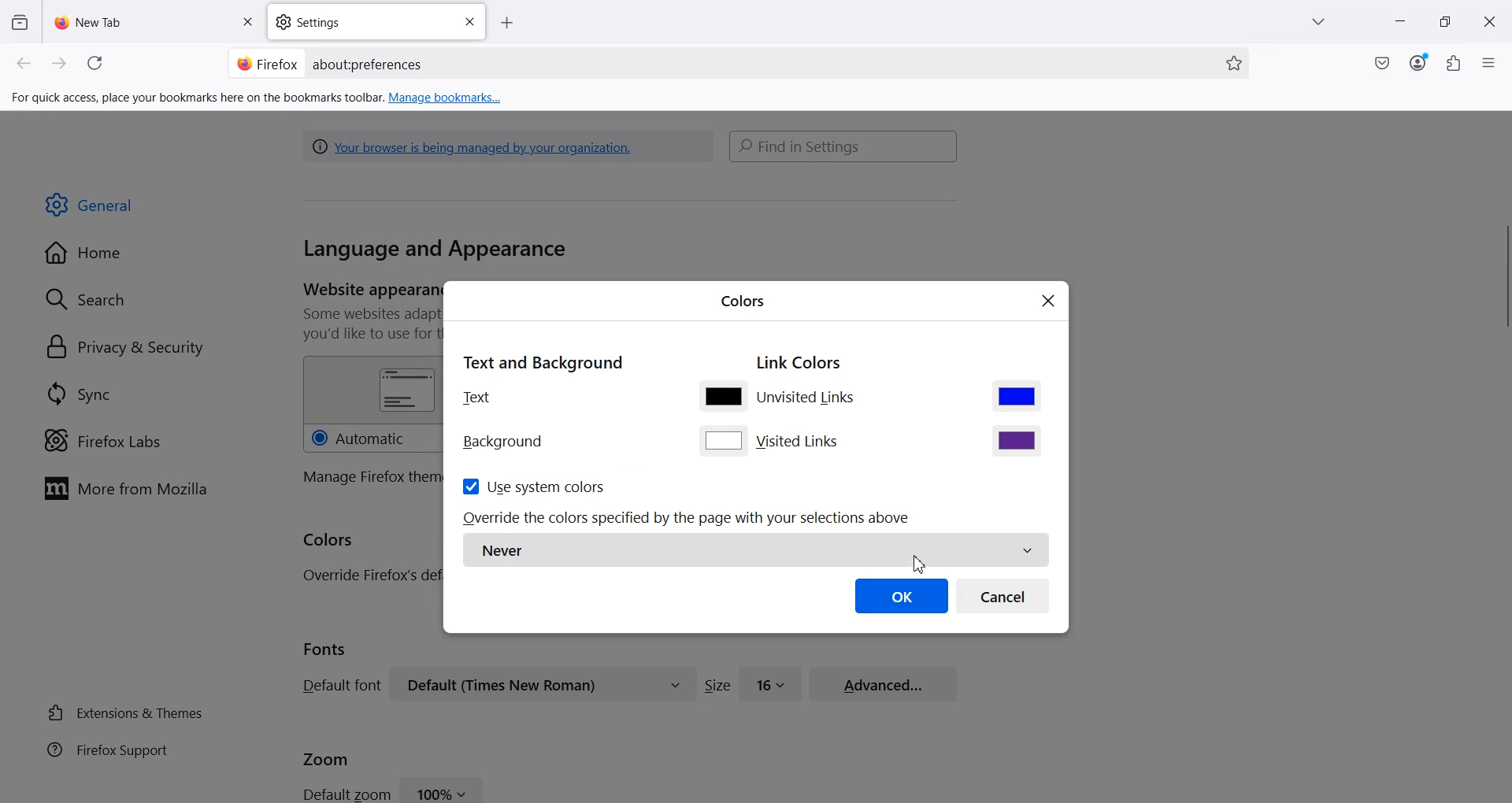 This screenshot has height=803, width=1512. Describe the element at coordinates (736, 63) in the screenshot. I see `Search Bar` at that location.